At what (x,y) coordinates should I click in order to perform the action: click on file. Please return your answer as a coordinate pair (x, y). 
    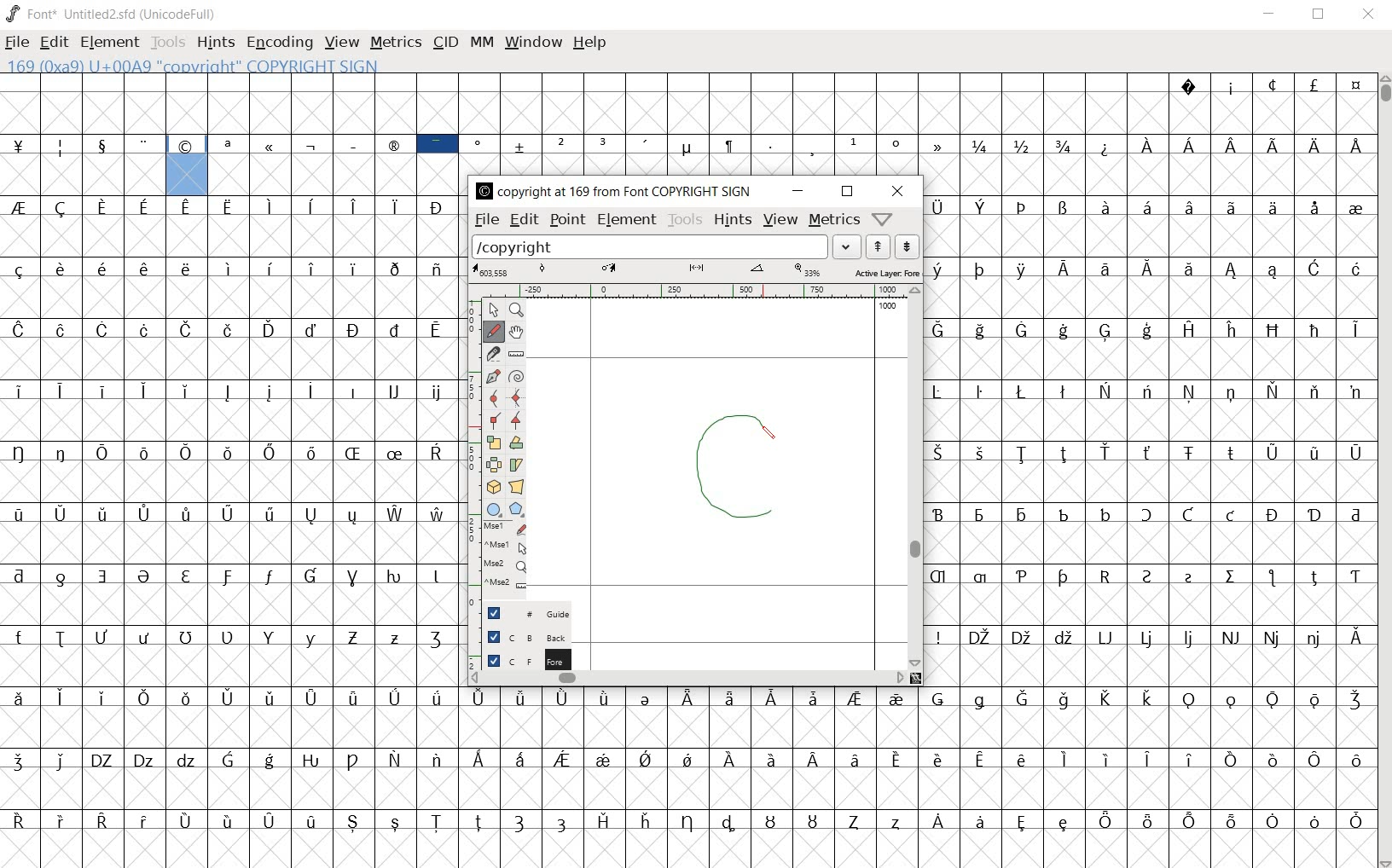
    Looking at the image, I should click on (17, 44).